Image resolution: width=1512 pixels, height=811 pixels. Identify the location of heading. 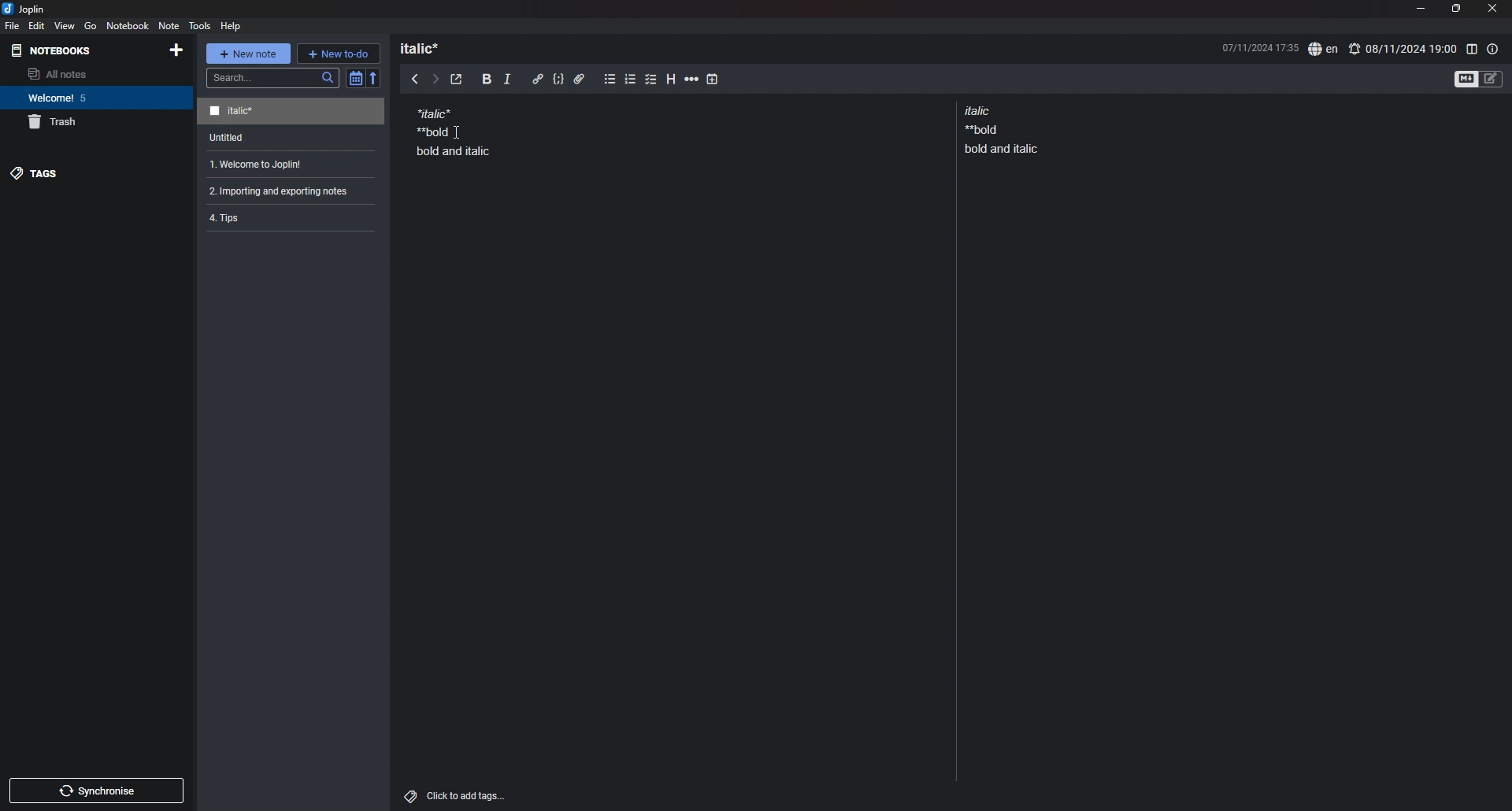
(427, 48).